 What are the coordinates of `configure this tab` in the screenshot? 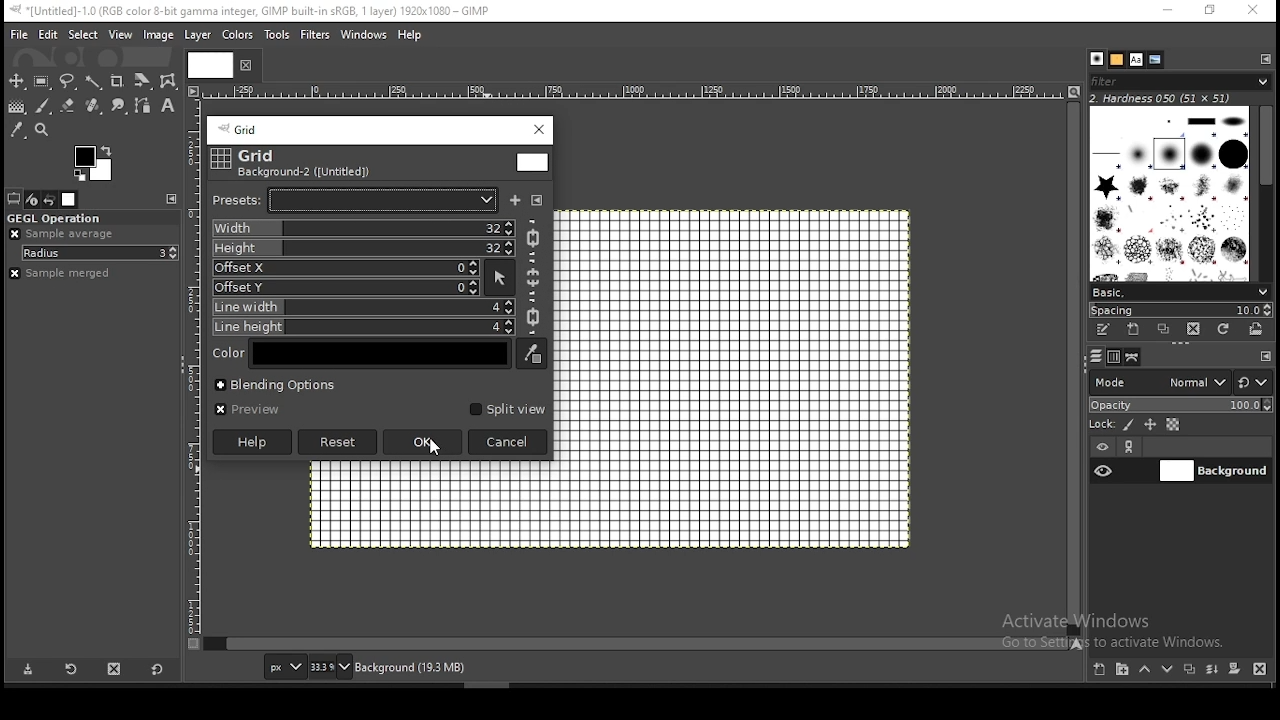 It's located at (537, 199).